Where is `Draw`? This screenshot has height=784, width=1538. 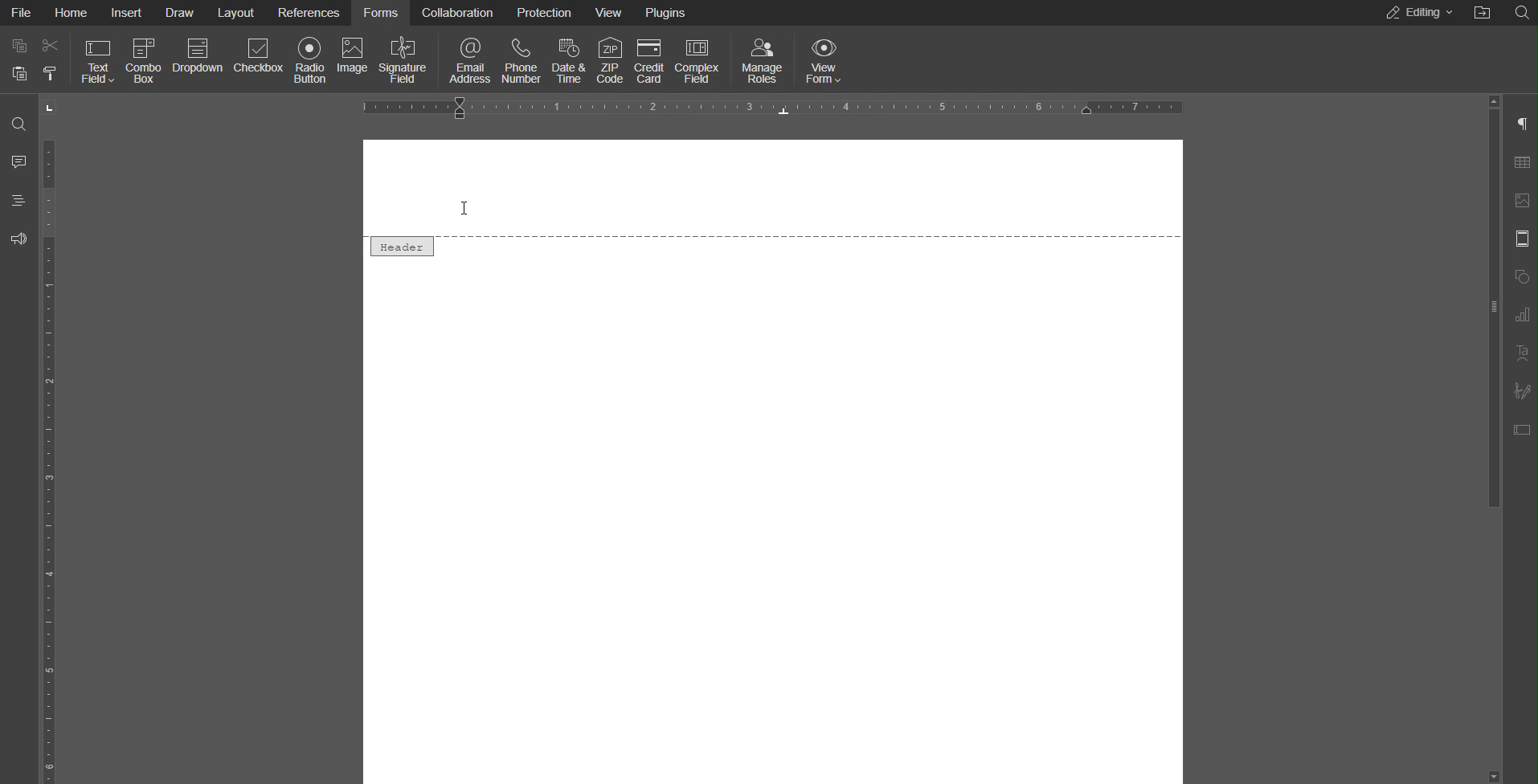 Draw is located at coordinates (182, 13).